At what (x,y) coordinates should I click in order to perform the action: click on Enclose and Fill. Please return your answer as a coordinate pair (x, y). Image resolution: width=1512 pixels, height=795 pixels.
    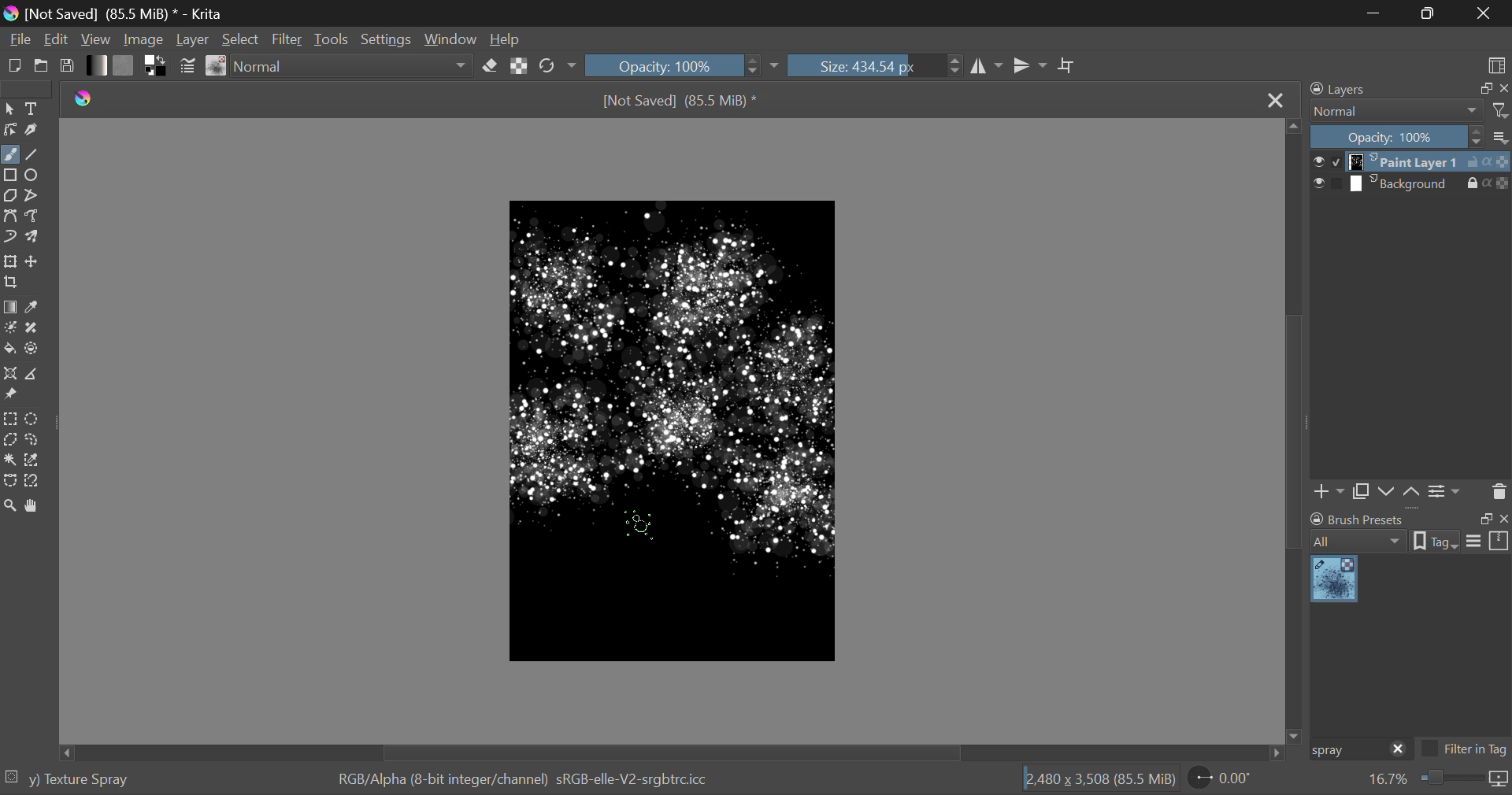
    Looking at the image, I should click on (32, 350).